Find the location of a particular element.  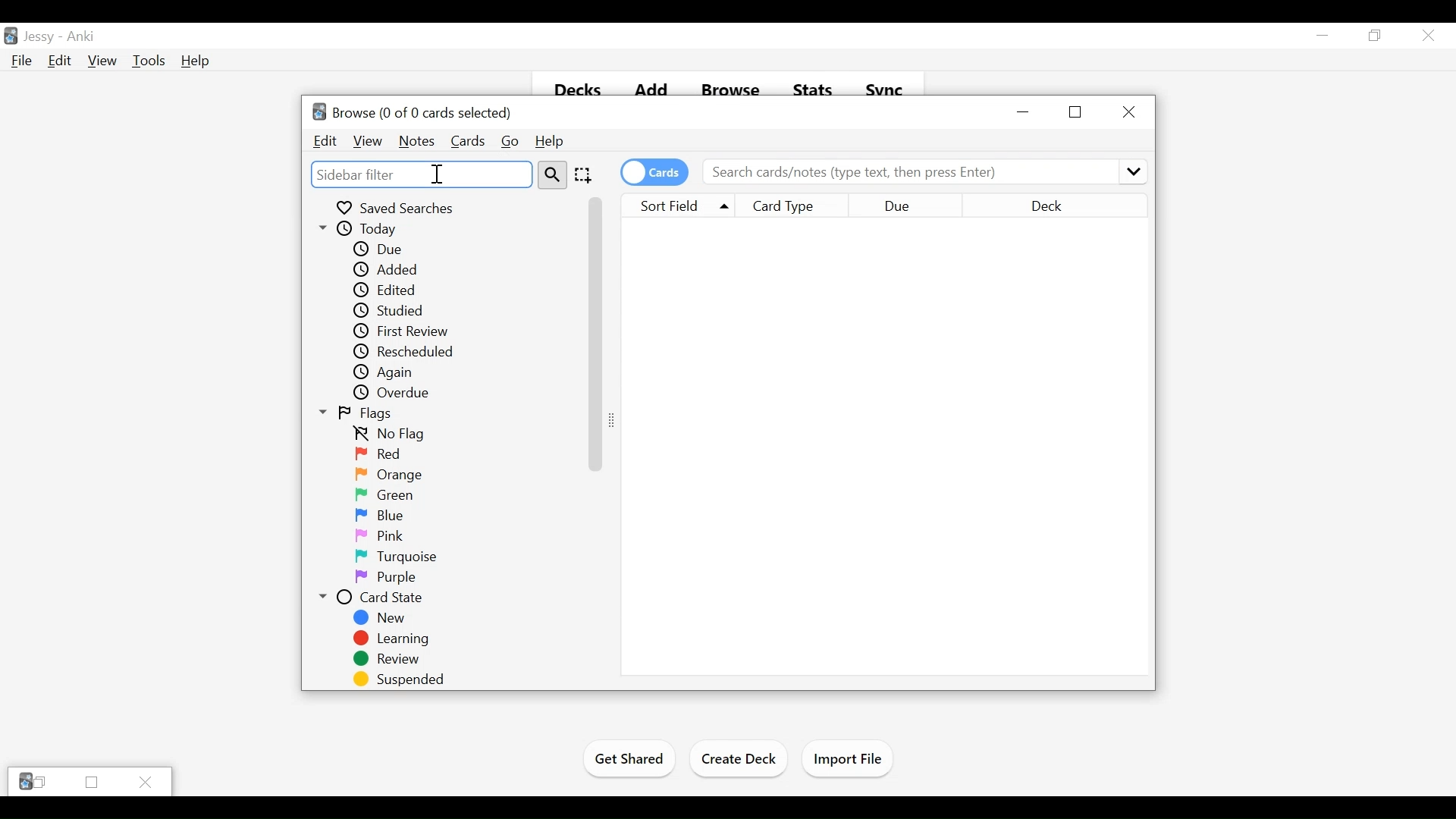

Close is located at coordinates (146, 781).